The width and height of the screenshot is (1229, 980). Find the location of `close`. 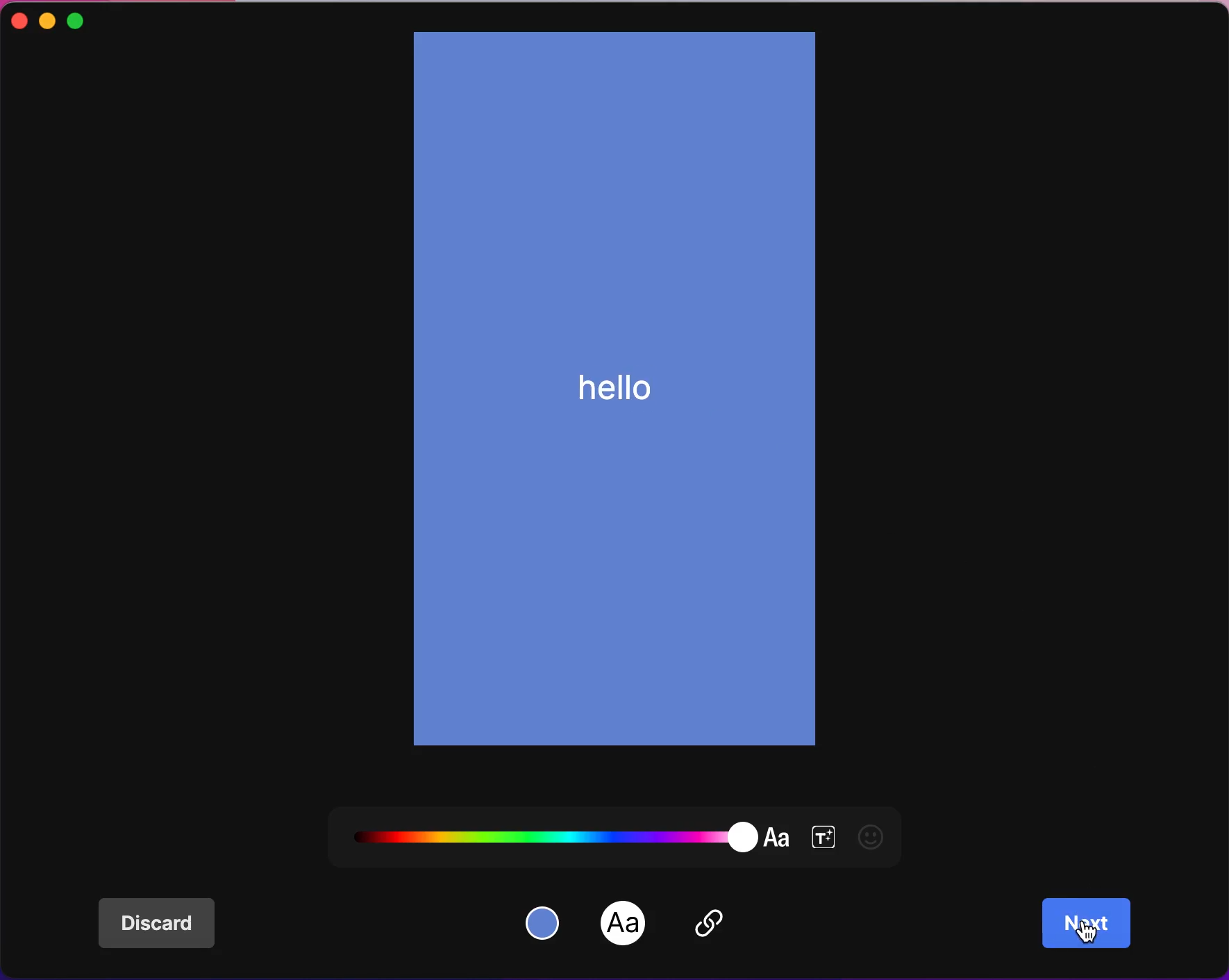

close is located at coordinates (17, 22).